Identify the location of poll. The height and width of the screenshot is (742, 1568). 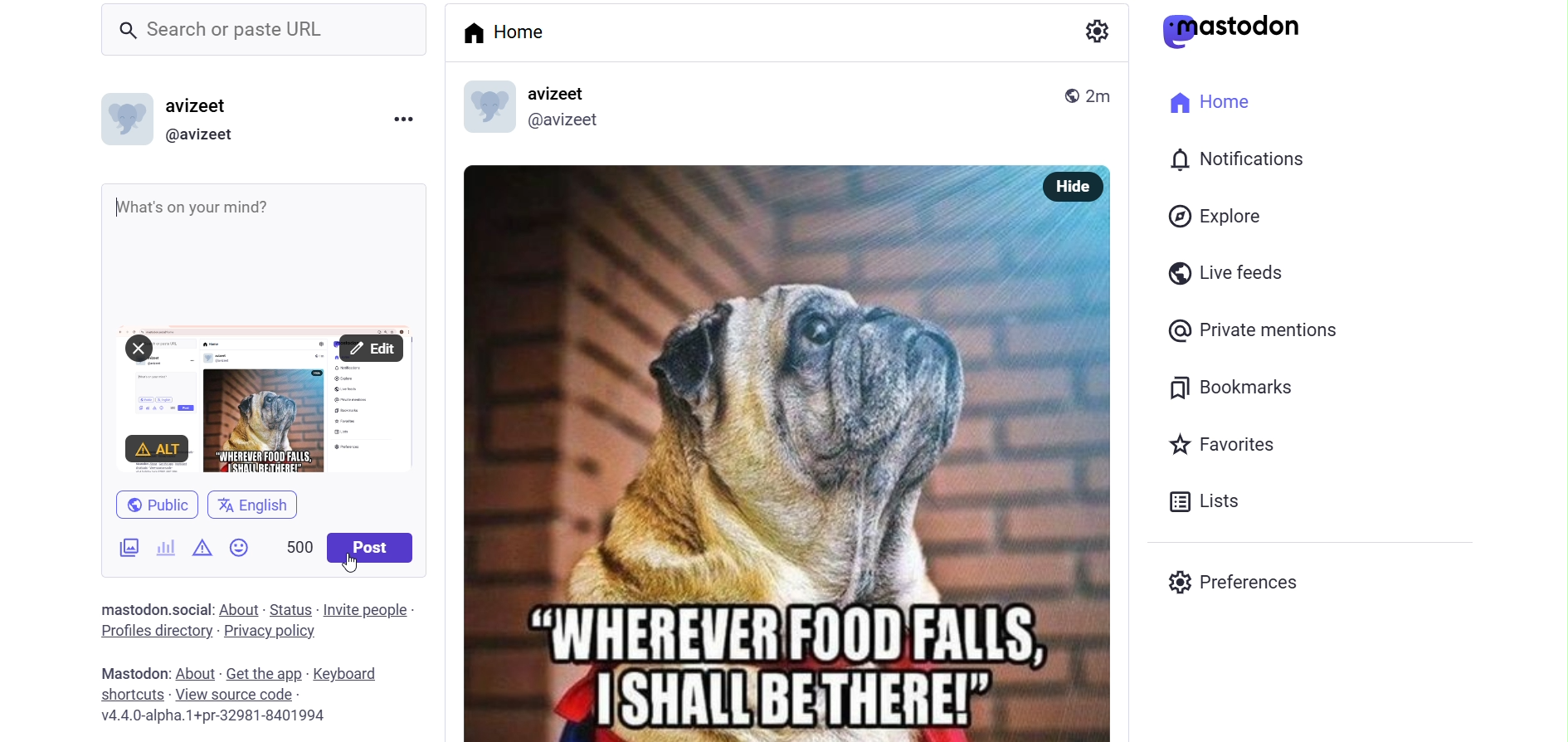
(163, 547).